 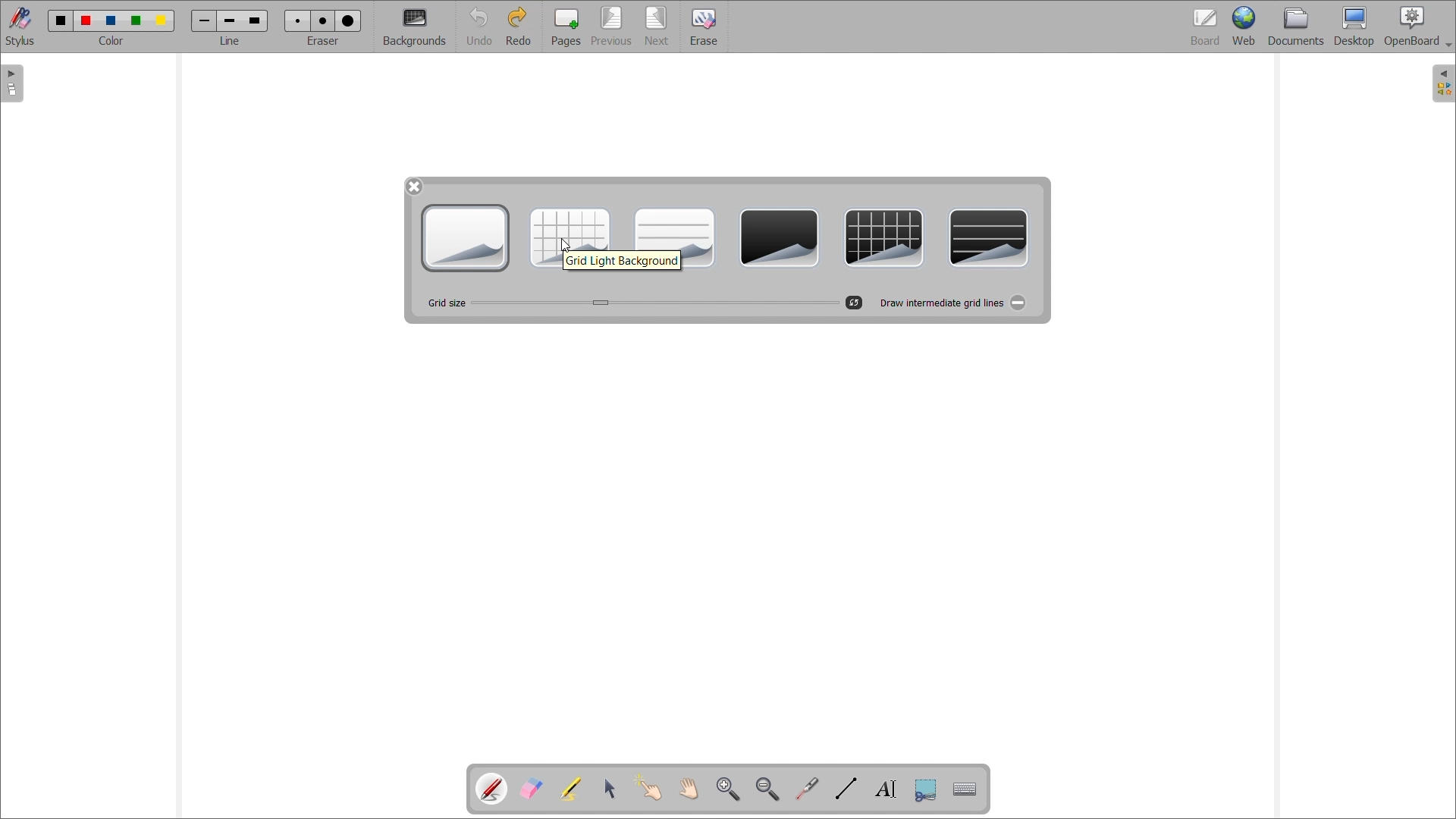 I want to click on Annotate document, so click(x=492, y=789).